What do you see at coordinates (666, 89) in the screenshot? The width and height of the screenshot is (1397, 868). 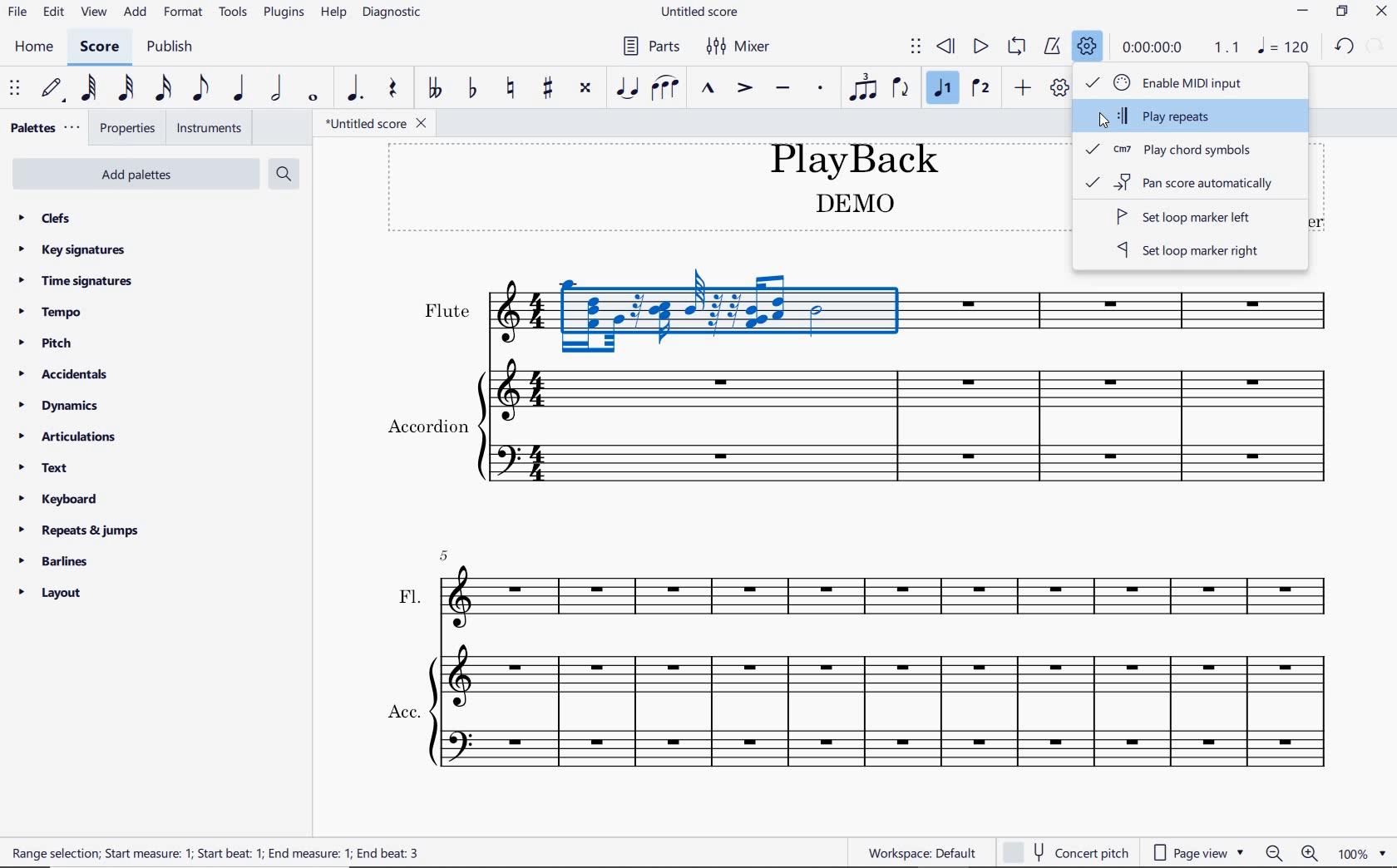 I see `slur` at bounding box center [666, 89].